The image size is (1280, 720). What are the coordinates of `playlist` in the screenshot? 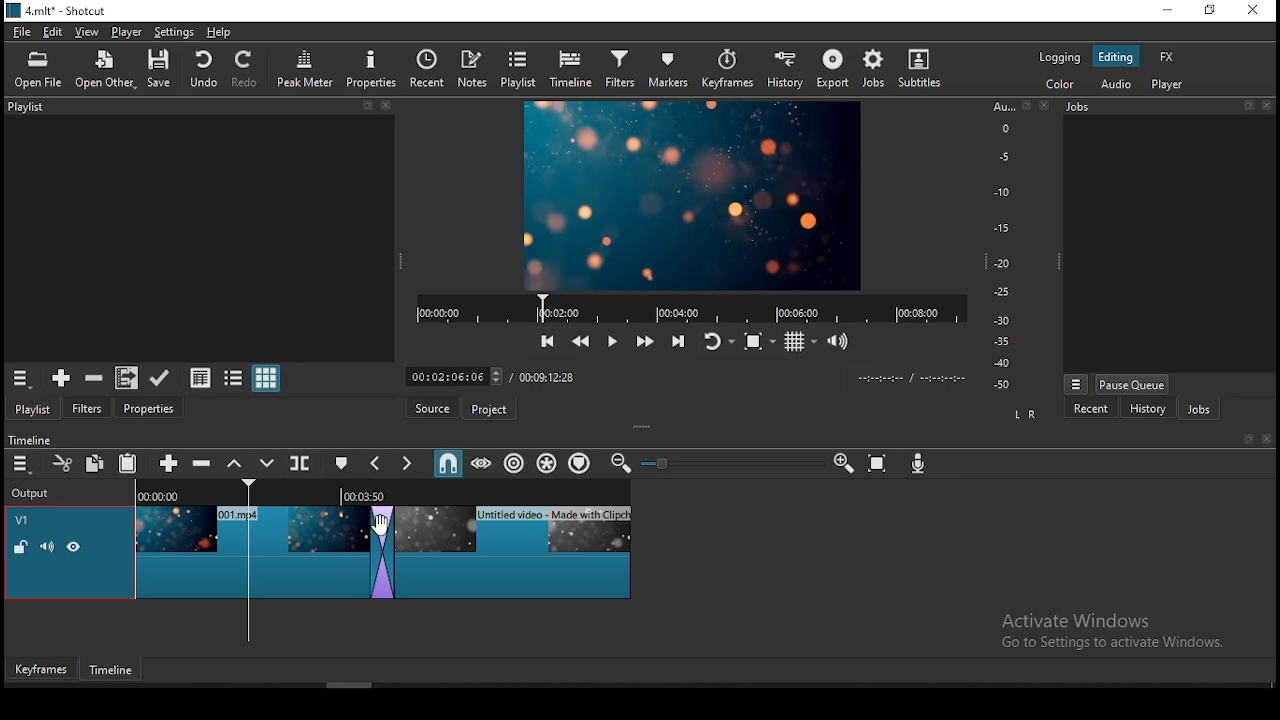 It's located at (33, 407).